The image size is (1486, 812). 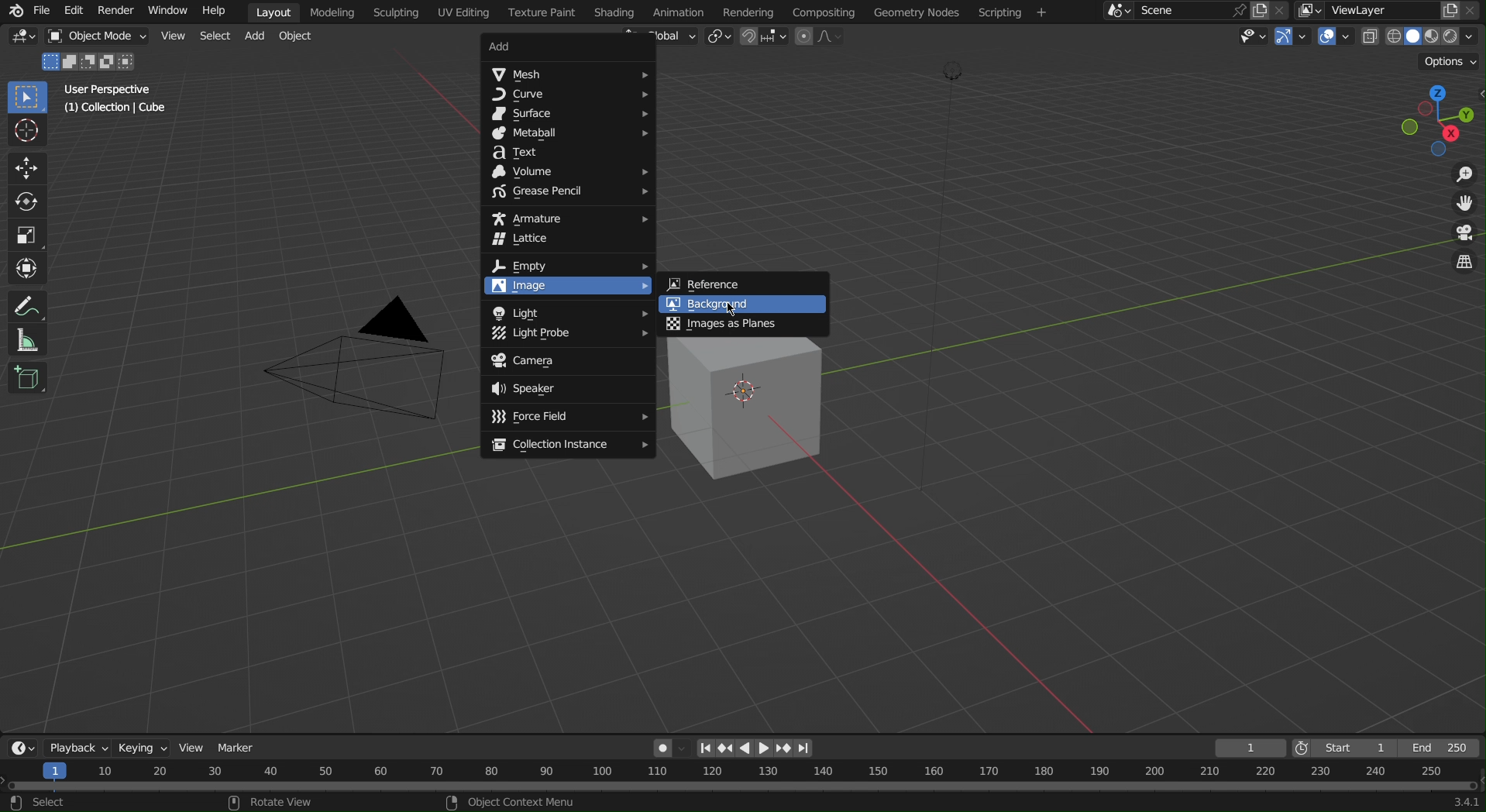 What do you see at coordinates (1439, 122) in the screenshot?
I see `Viewport` at bounding box center [1439, 122].